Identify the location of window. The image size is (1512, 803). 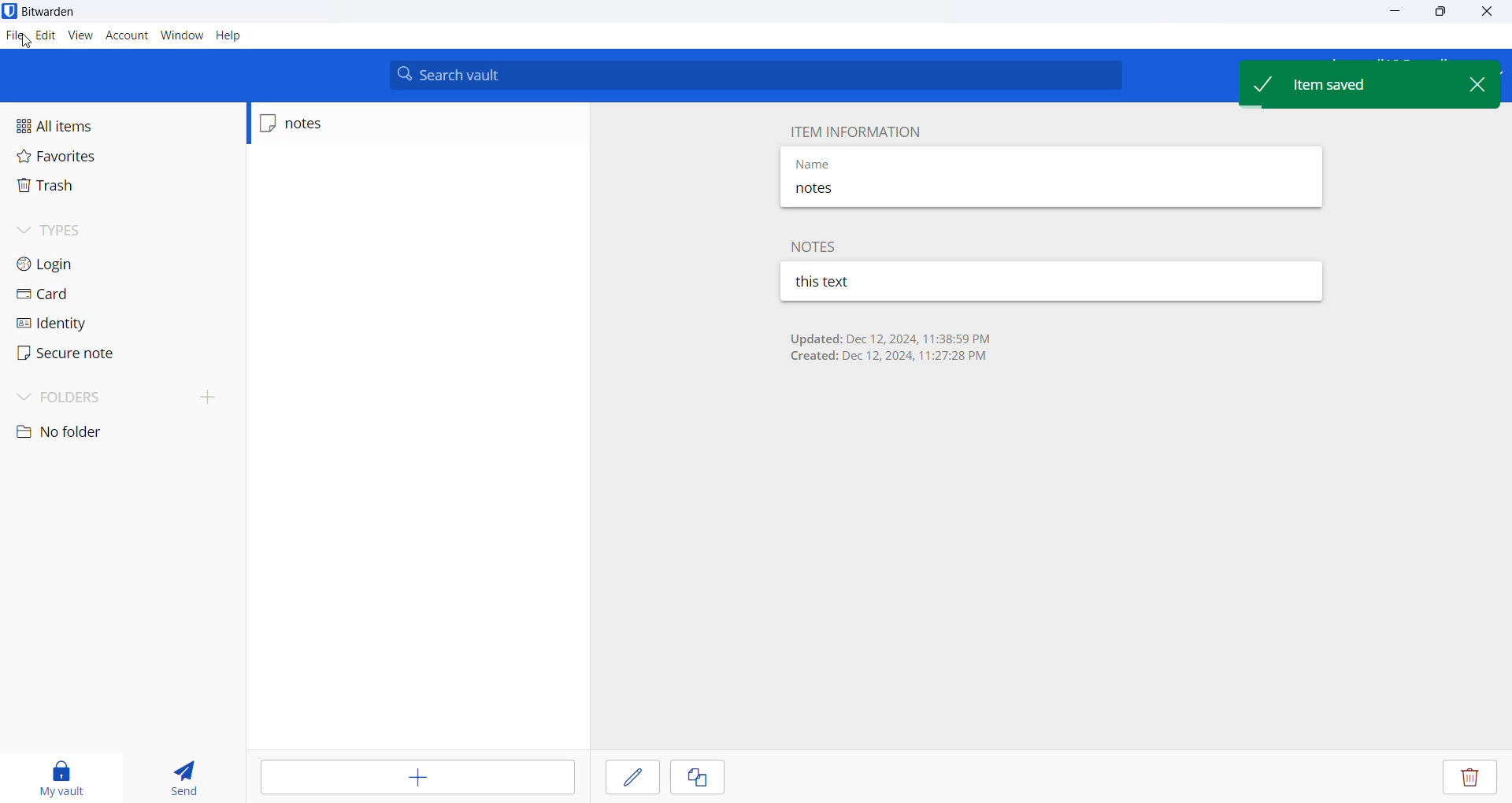
(179, 37).